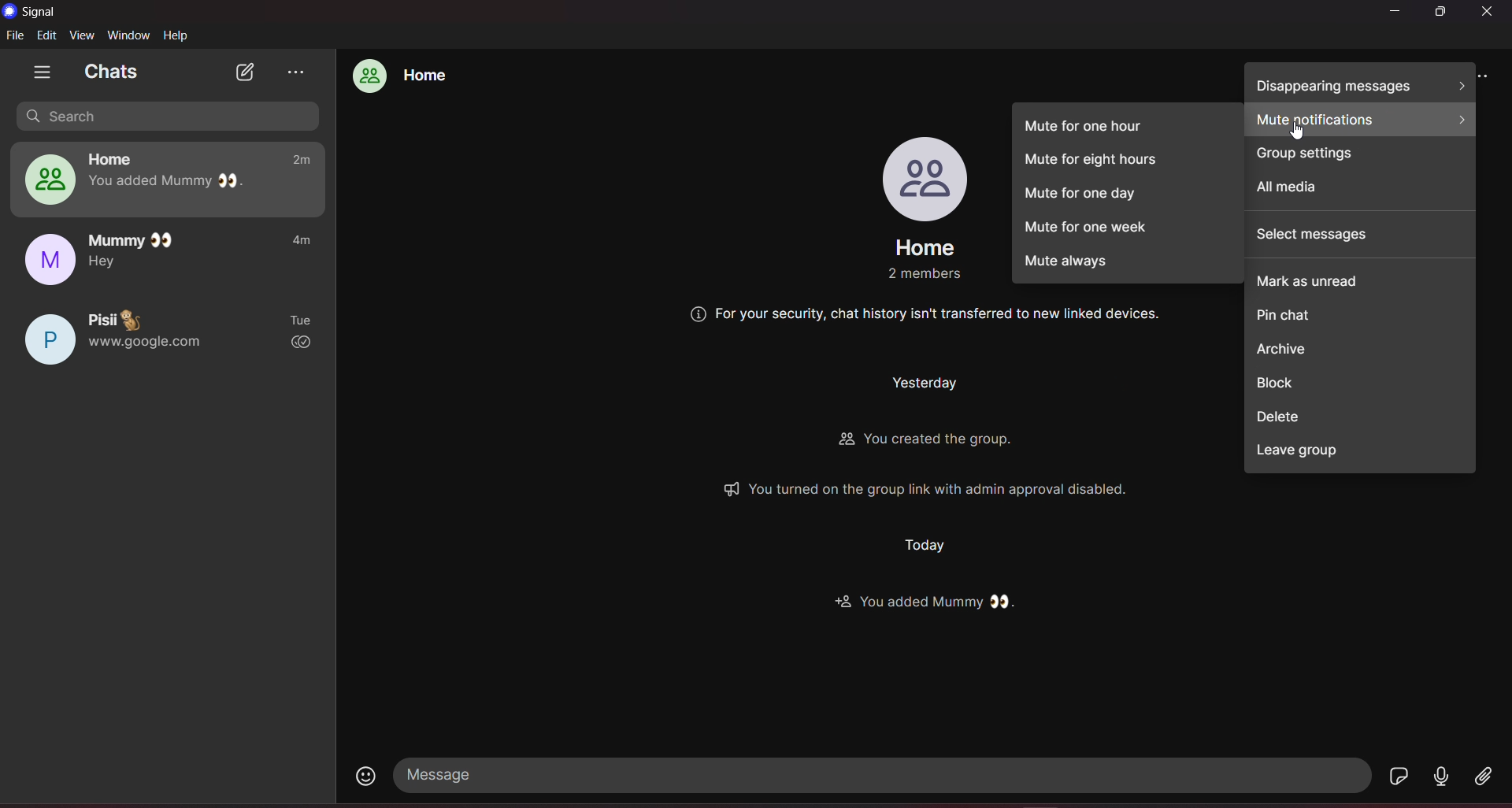  I want to click on mute always, so click(1127, 267).